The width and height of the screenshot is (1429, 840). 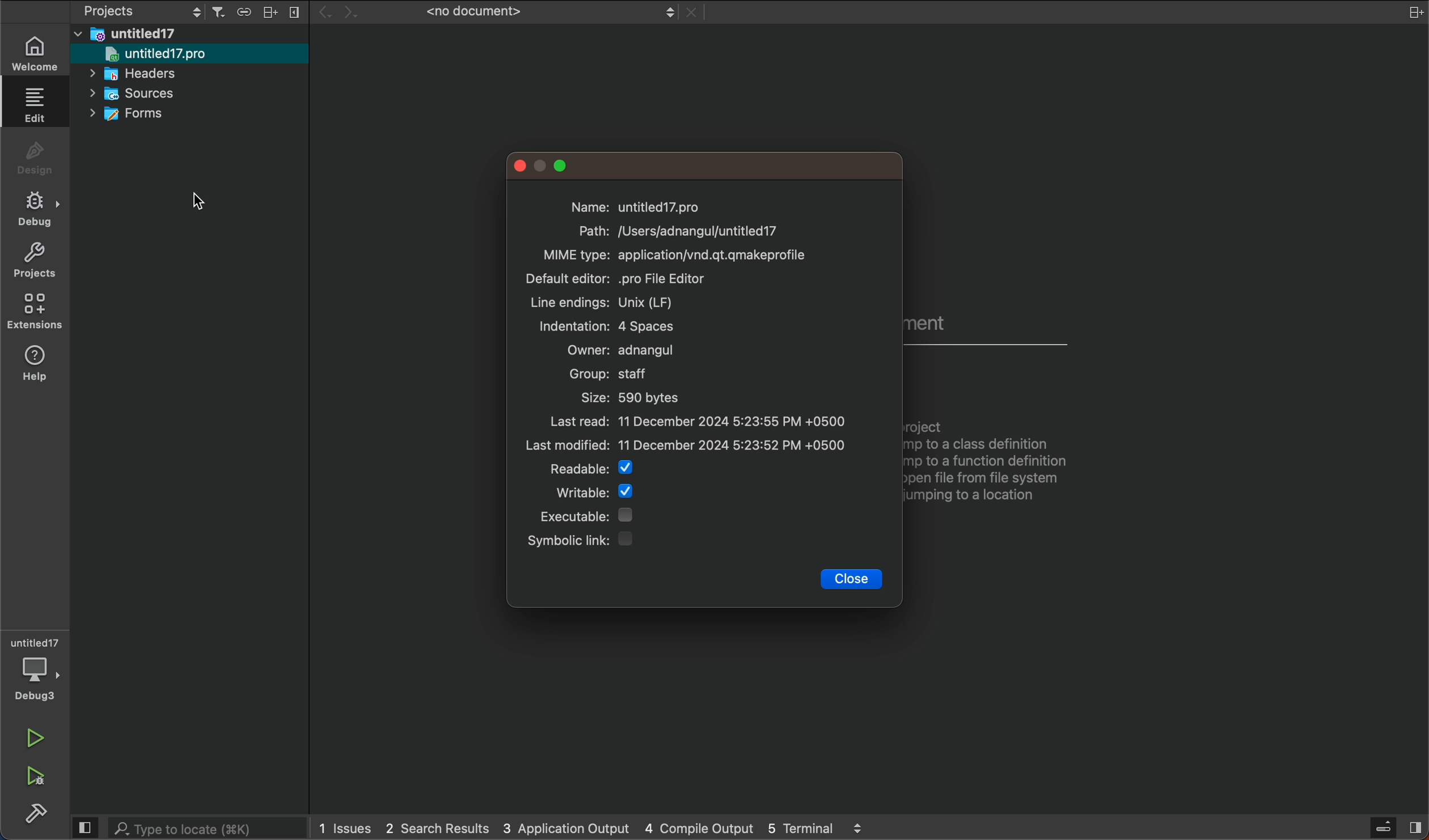 What do you see at coordinates (597, 491) in the screenshot?
I see `Writable` at bounding box center [597, 491].